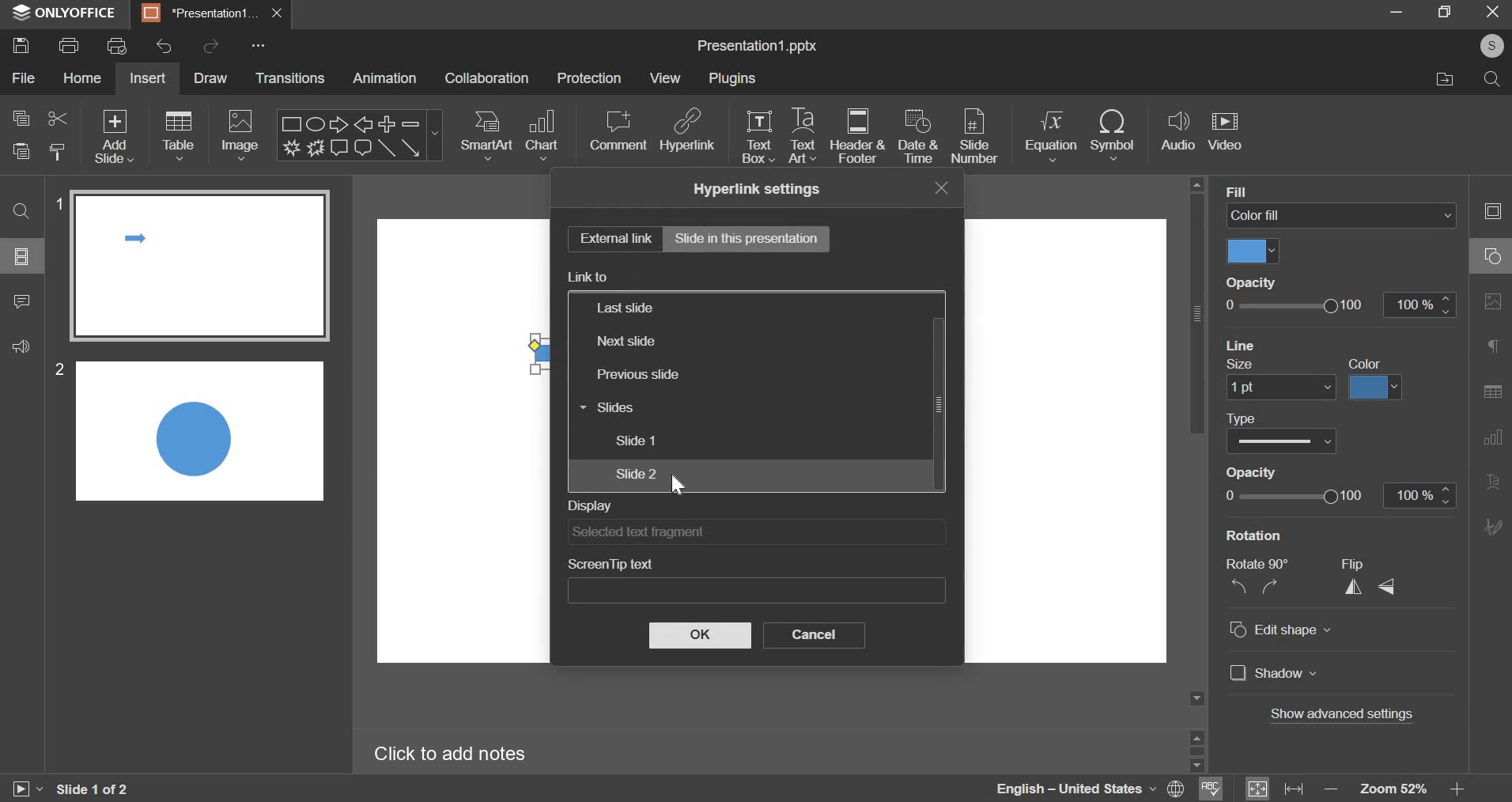  Describe the element at coordinates (1180, 136) in the screenshot. I see `audio` at that location.